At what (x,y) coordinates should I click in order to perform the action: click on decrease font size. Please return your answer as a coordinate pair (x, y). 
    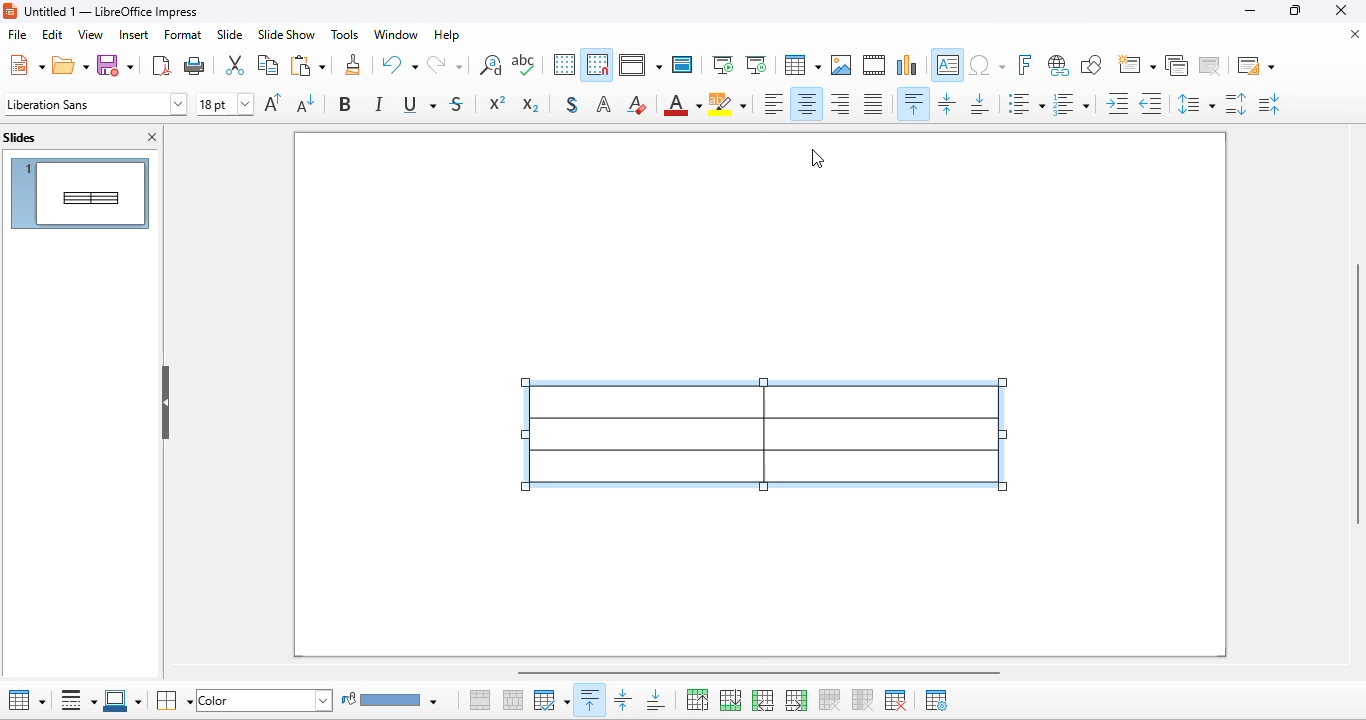
    Looking at the image, I should click on (306, 103).